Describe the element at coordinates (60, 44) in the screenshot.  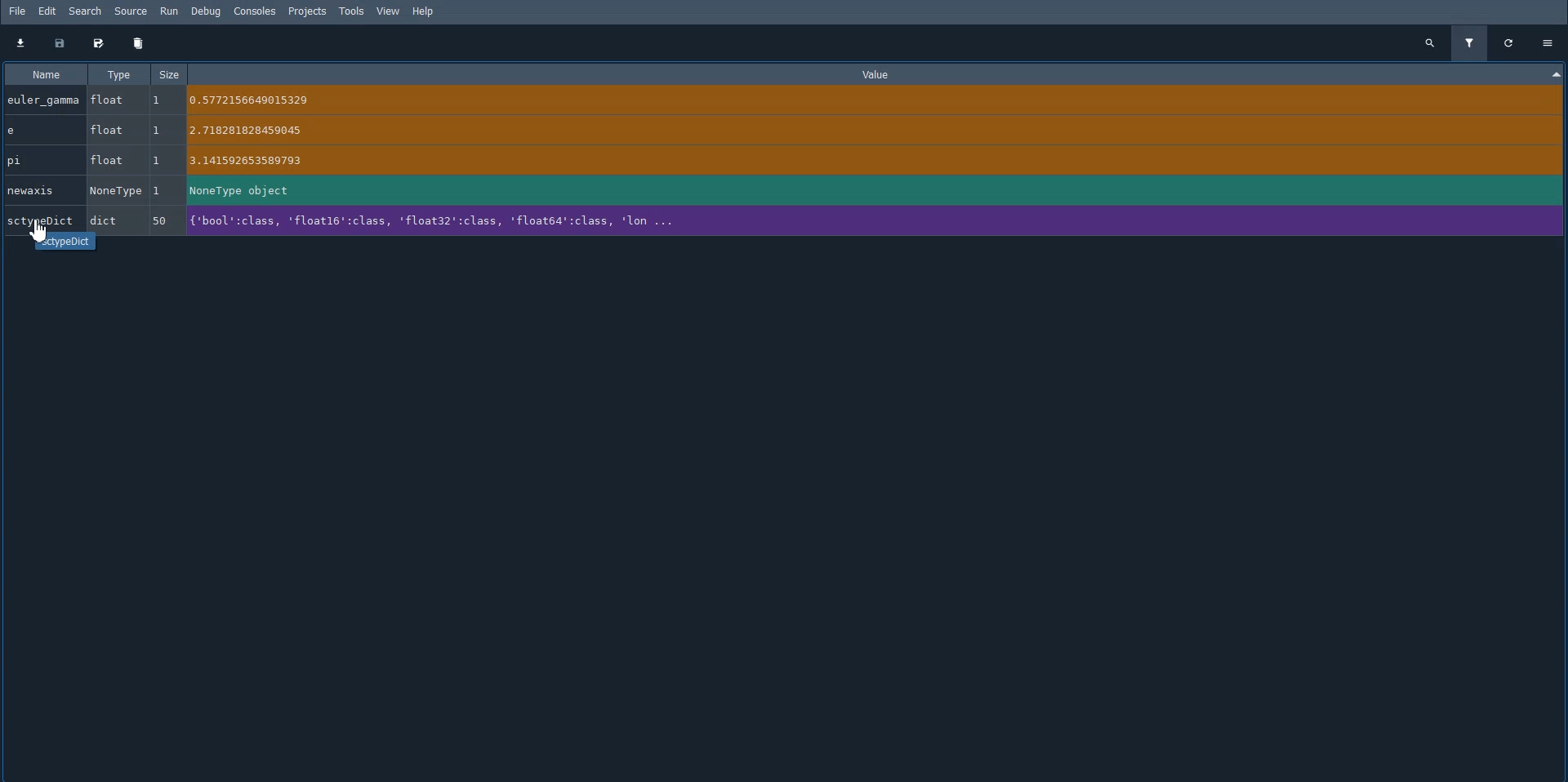
I see `Save data` at that location.